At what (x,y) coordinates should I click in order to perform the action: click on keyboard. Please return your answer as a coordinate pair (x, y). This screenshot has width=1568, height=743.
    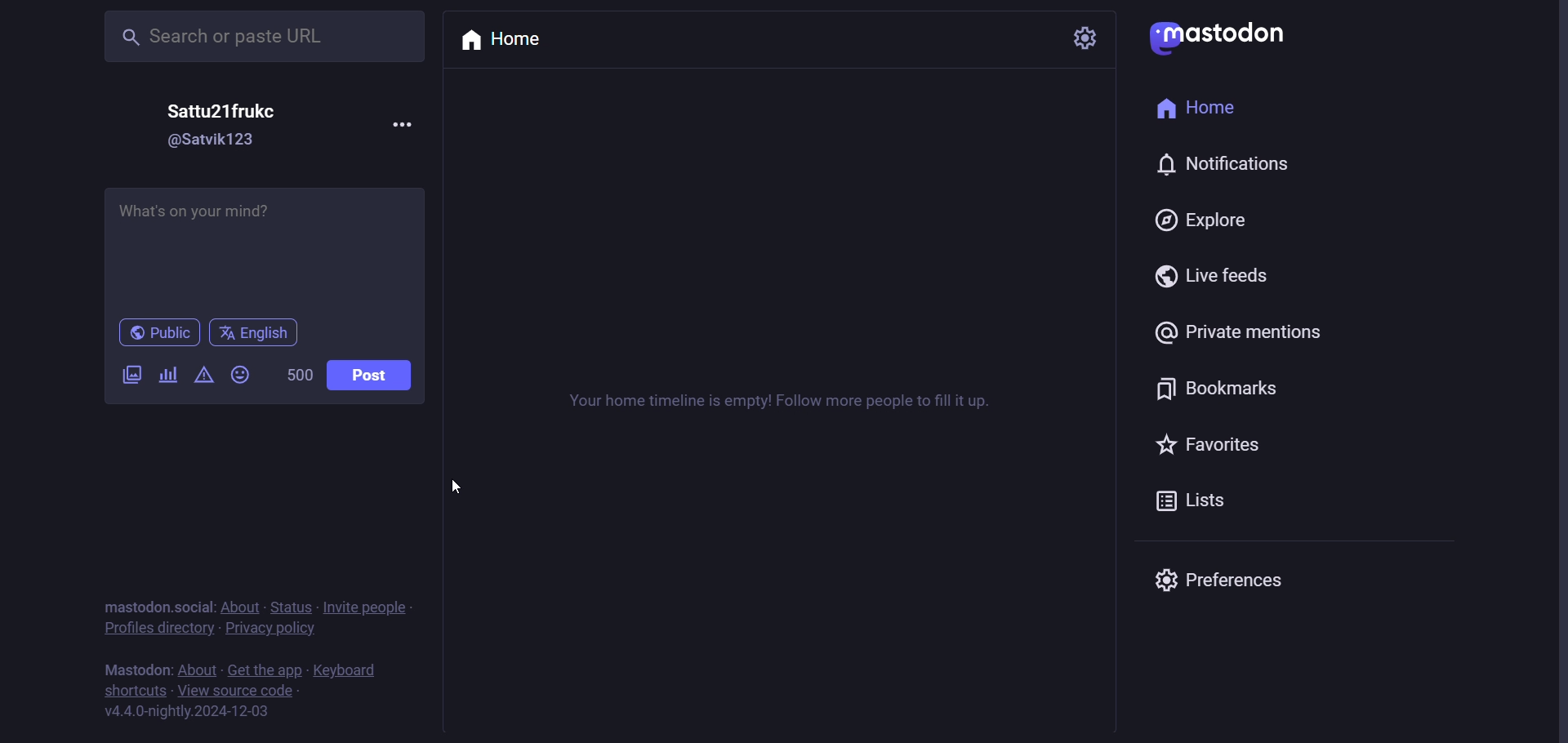
    Looking at the image, I should click on (348, 670).